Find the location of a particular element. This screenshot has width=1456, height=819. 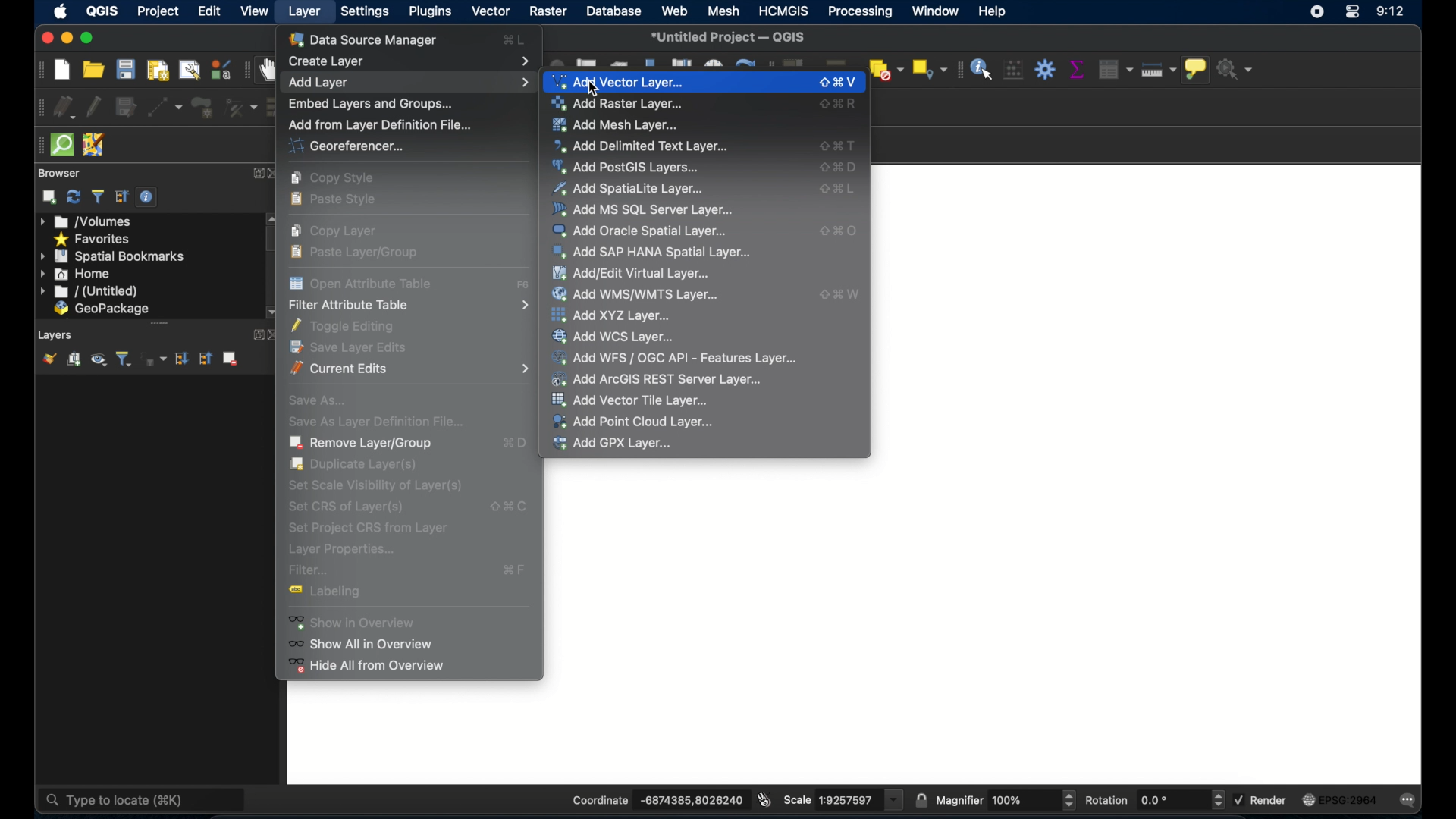

plugins is located at coordinates (430, 11).